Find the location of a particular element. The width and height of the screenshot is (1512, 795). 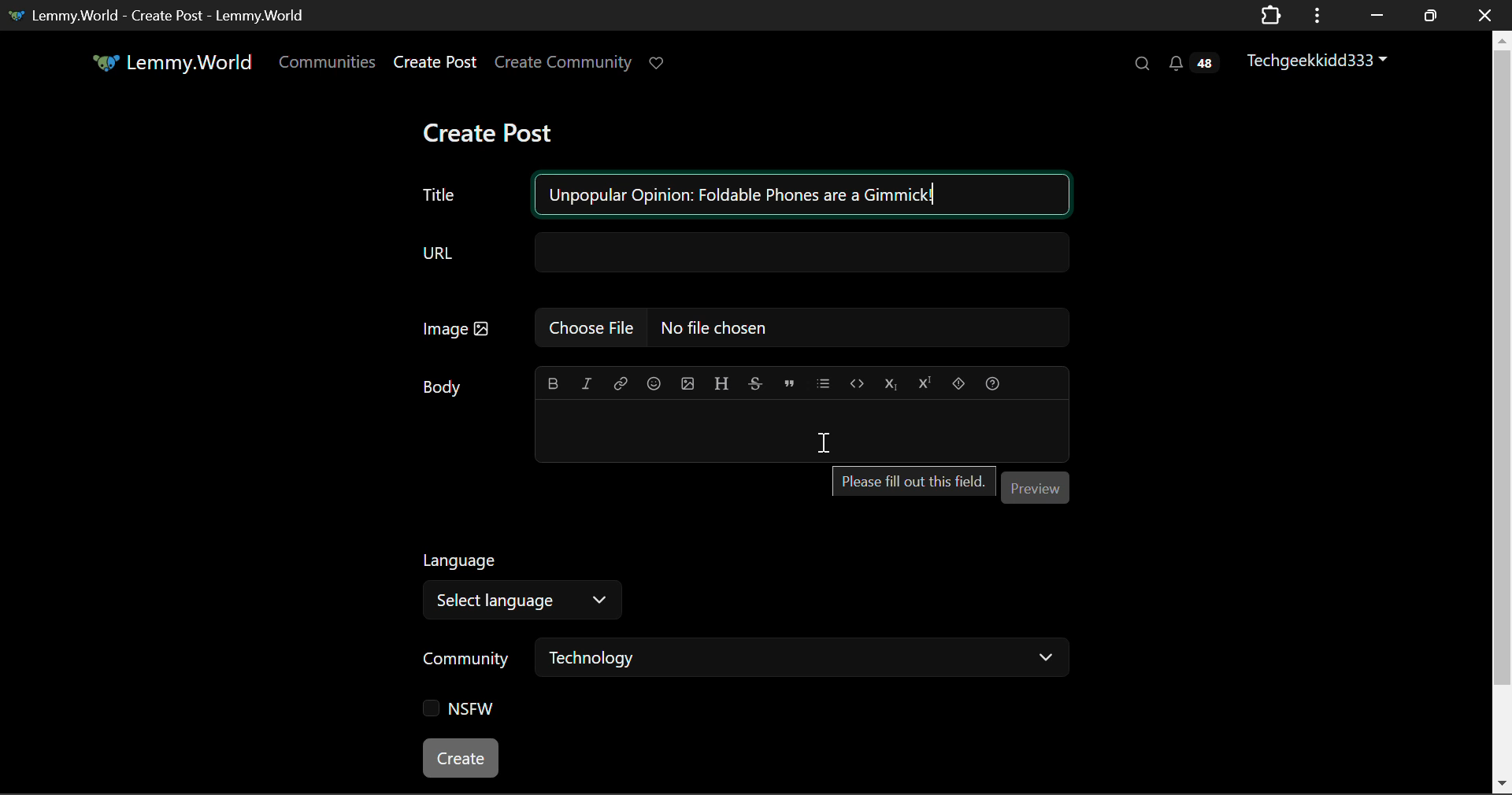

Donate to Lemmy is located at coordinates (658, 64).